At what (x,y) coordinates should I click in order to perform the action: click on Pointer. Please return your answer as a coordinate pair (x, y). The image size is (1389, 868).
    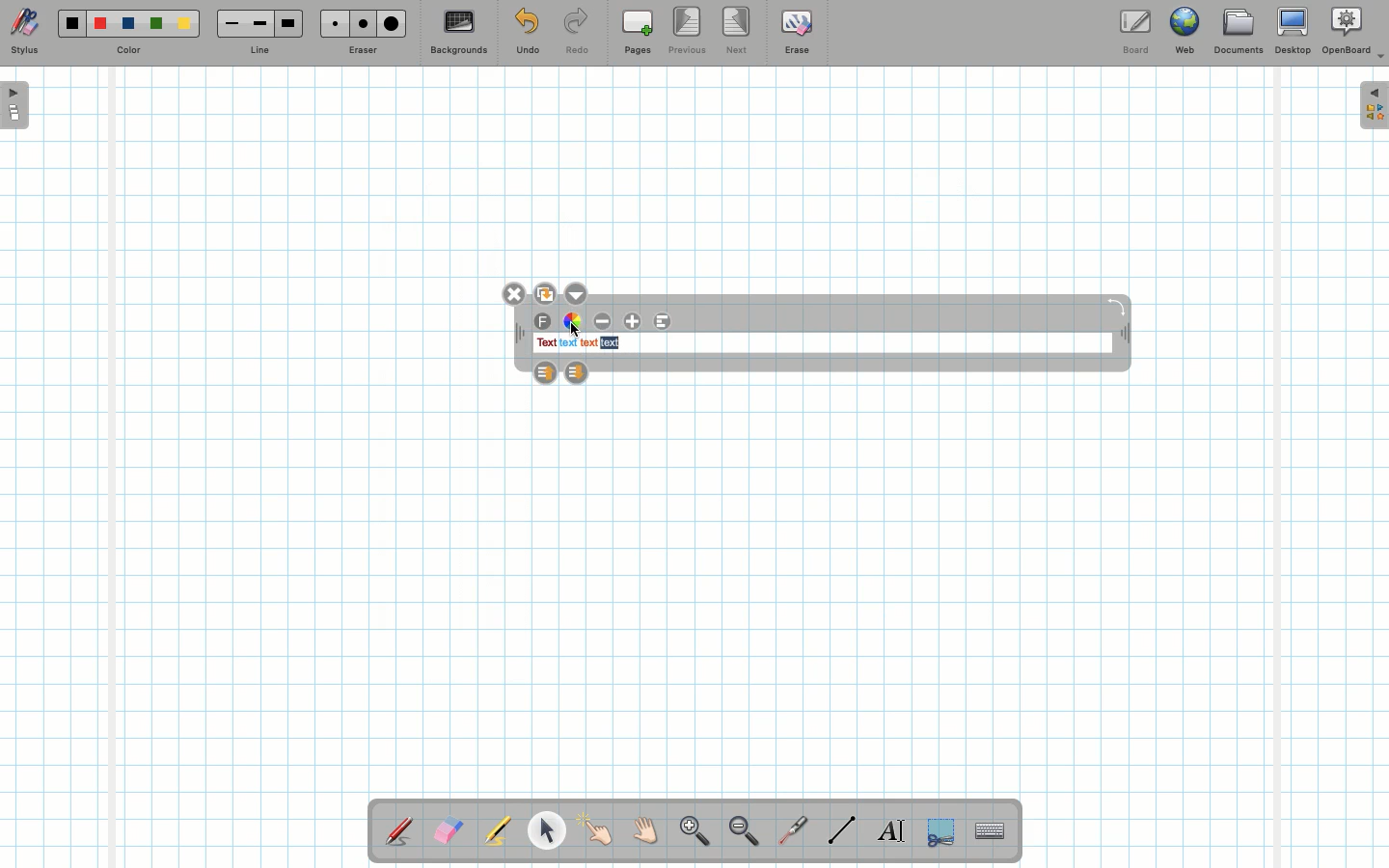
    Looking at the image, I should click on (596, 830).